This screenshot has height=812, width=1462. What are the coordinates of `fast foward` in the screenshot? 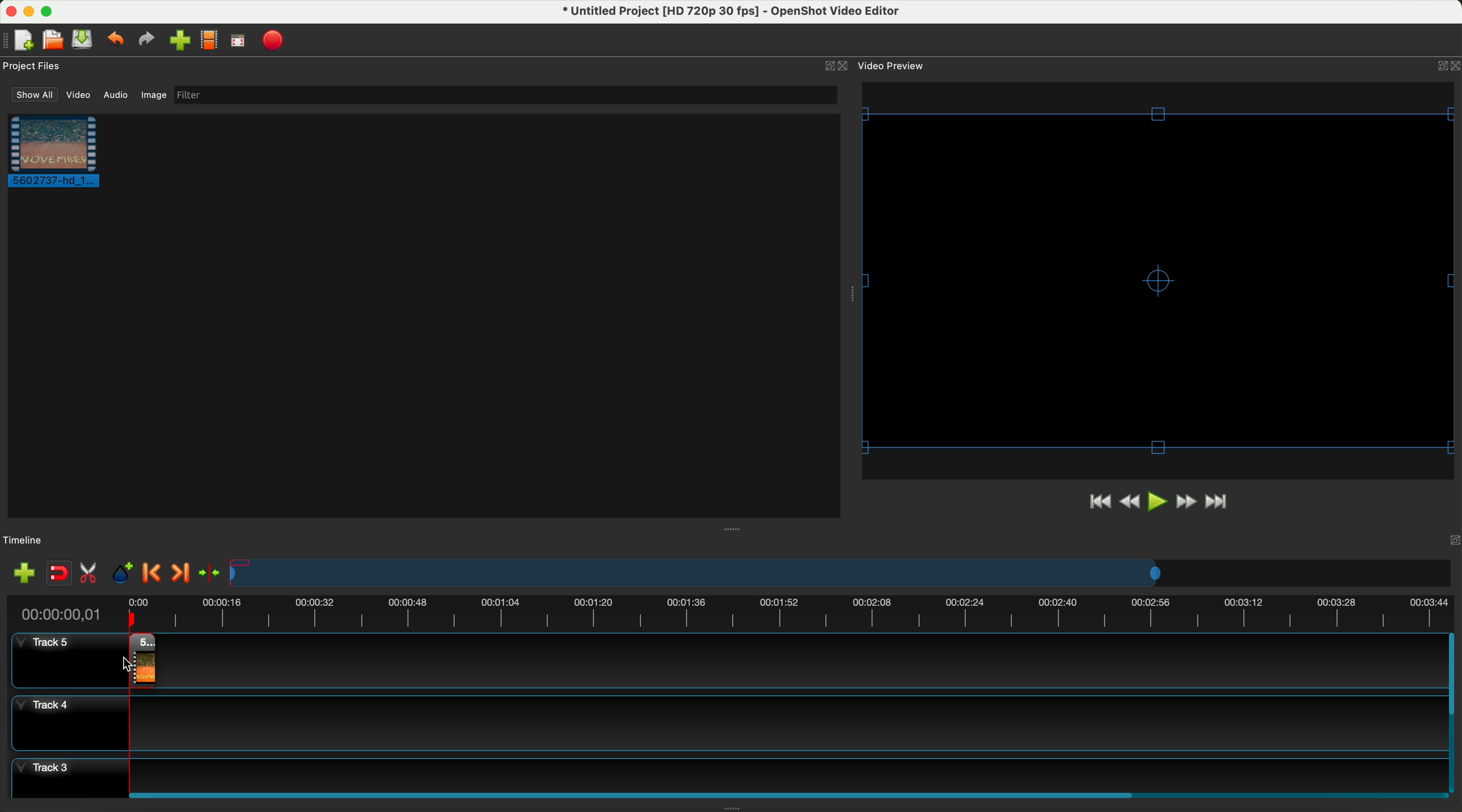 It's located at (1186, 501).